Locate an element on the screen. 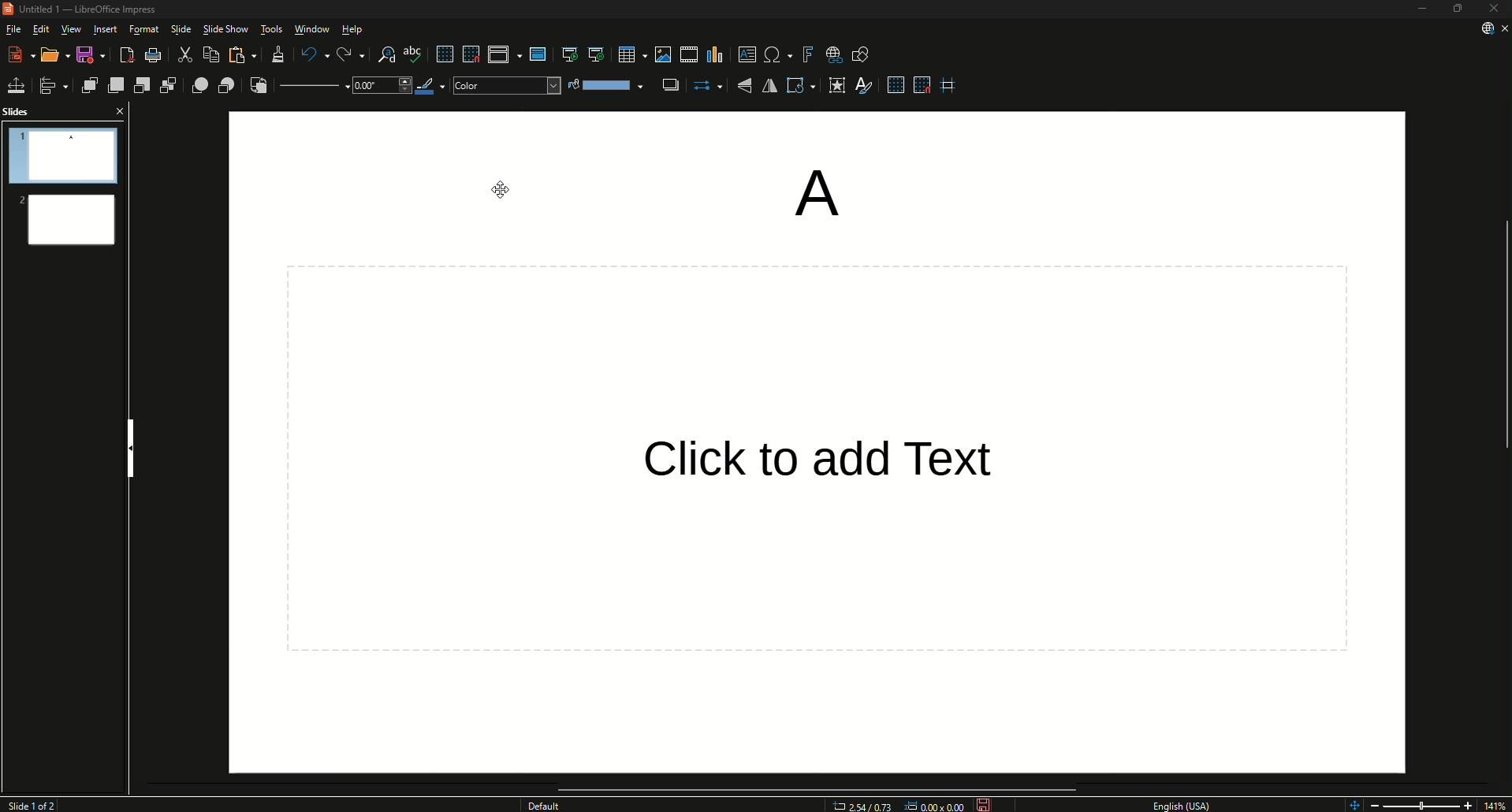 The width and height of the screenshot is (1512, 812). Dimensions is located at coordinates (897, 806).